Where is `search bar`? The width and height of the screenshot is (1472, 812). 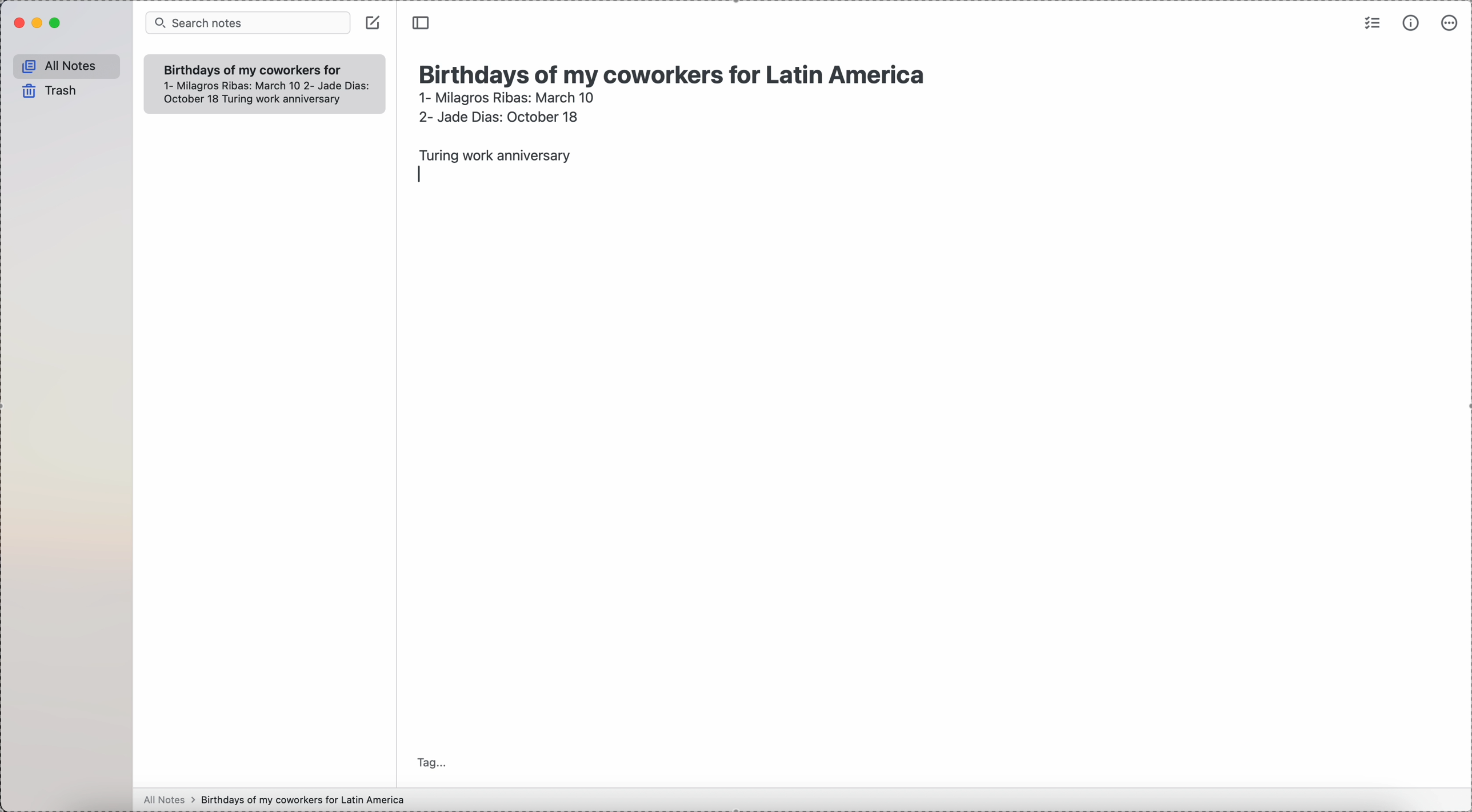 search bar is located at coordinates (247, 23).